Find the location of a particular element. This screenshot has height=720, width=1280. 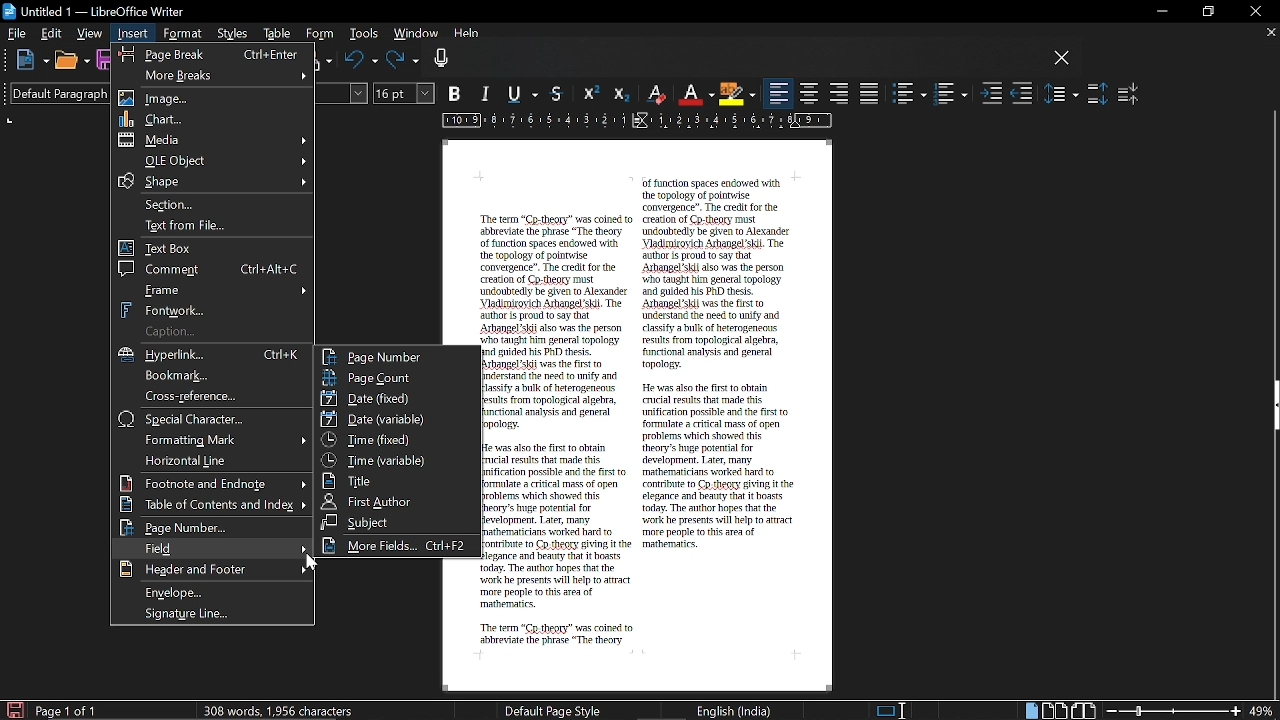

More breaks is located at coordinates (212, 74).